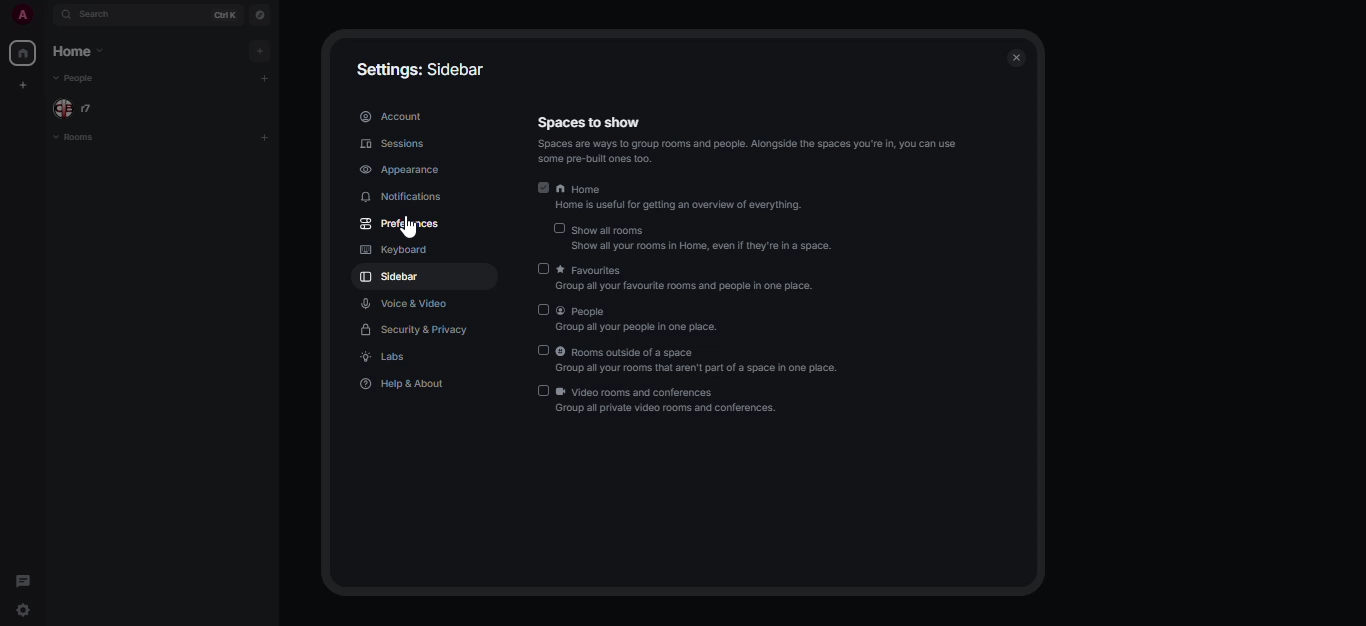 The width and height of the screenshot is (1366, 626). Describe the element at coordinates (225, 14) in the screenshot. I see `ctrl K` at that location.